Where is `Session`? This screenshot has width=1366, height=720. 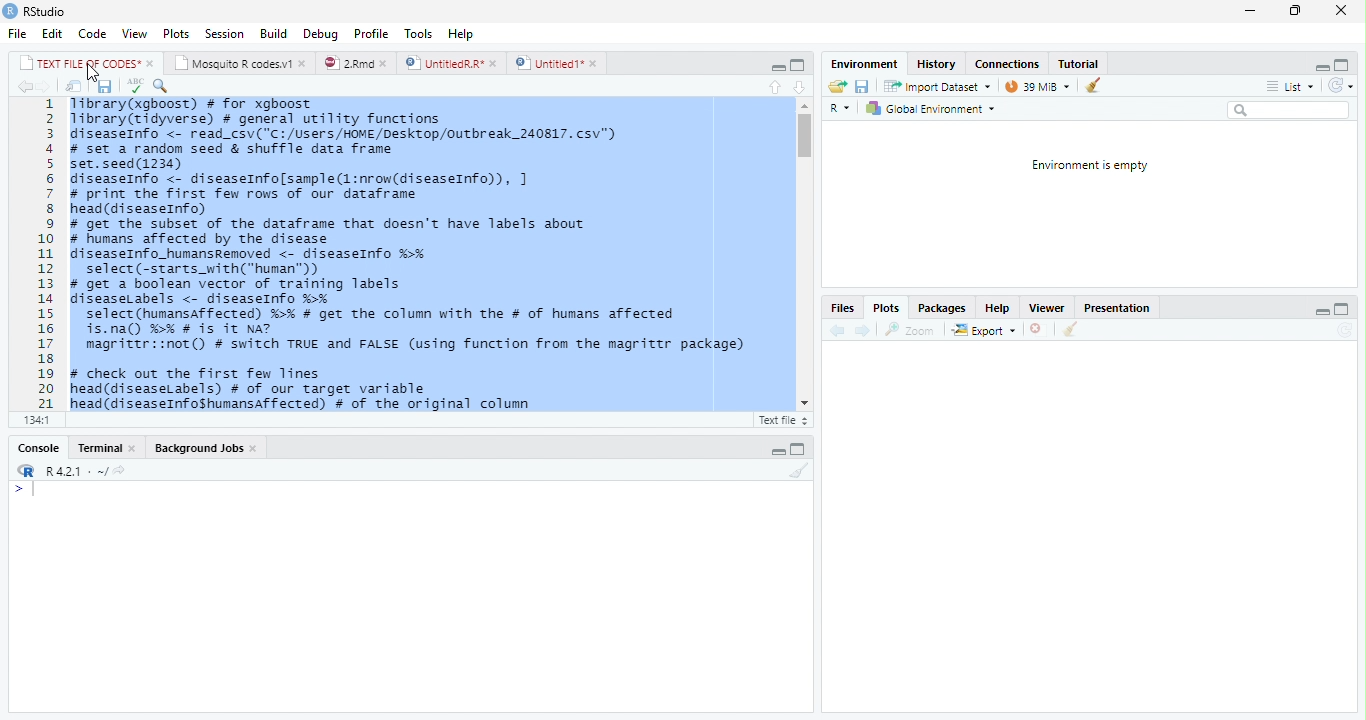 Session is located at coordinates (225, 33).